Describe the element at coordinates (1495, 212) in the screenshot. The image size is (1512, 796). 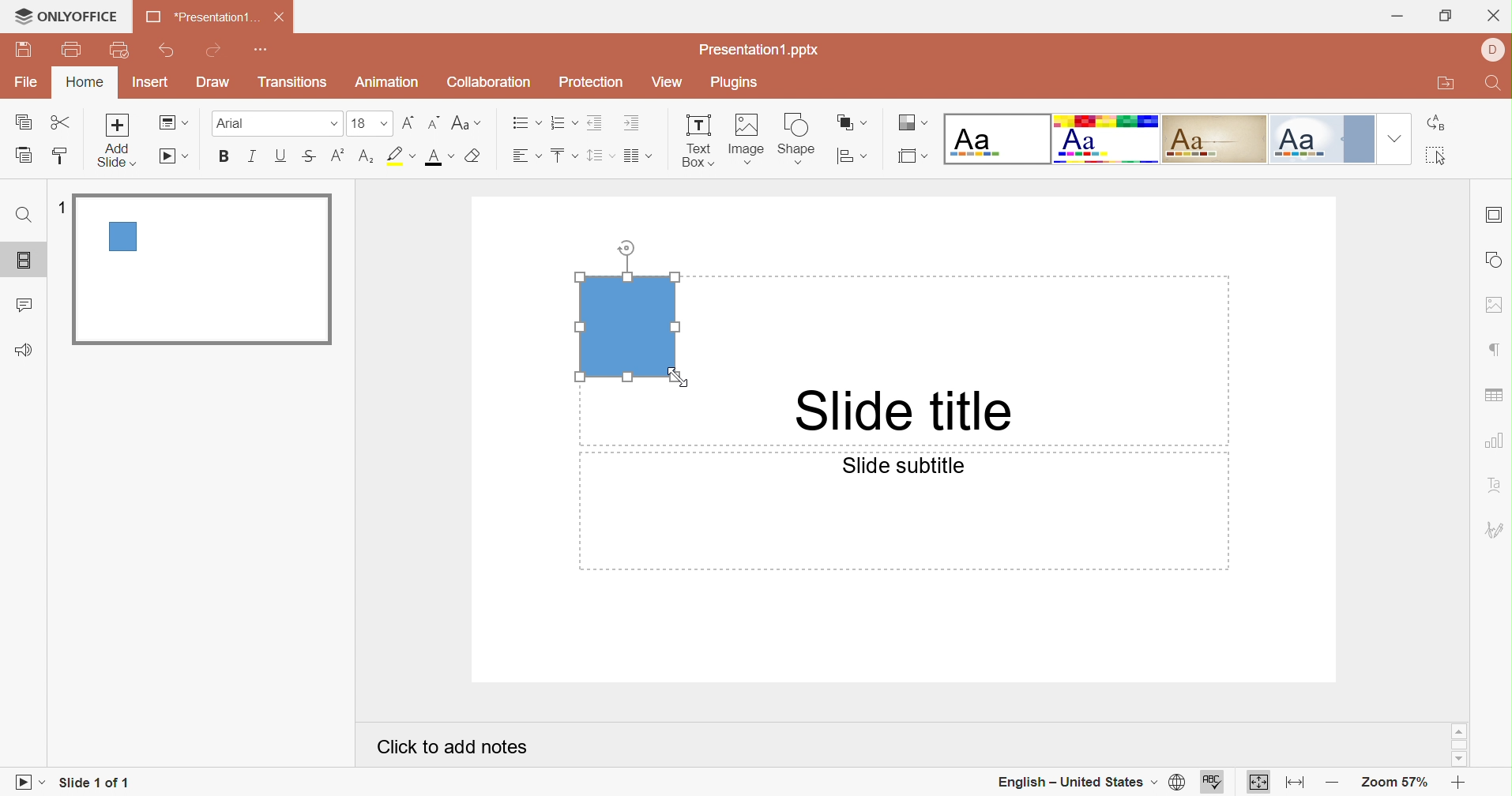
I see `Slide settings` at that location.